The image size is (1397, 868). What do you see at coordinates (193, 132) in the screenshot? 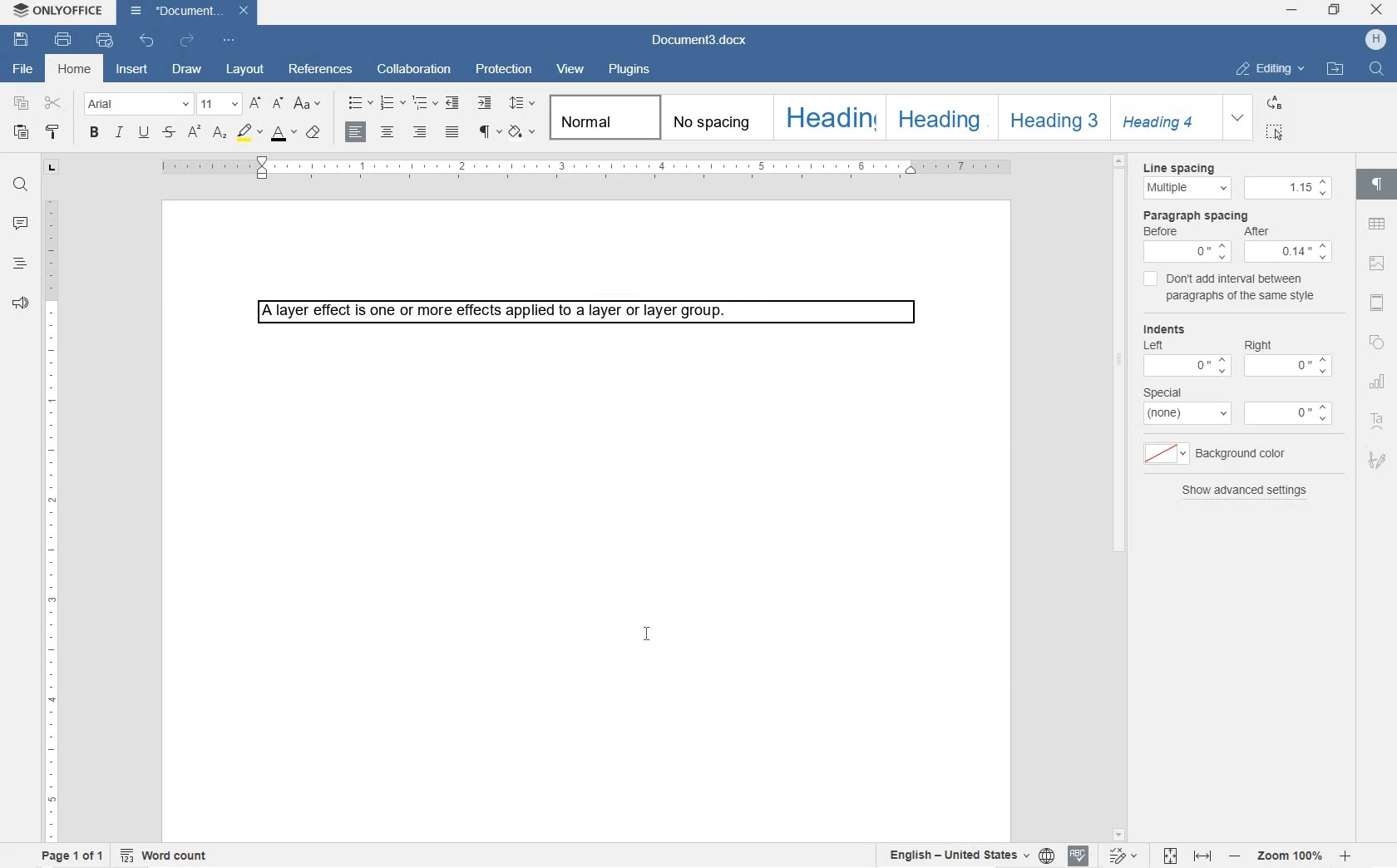
I see `SUPERSCRIPT` at bounding box center [193, 132].